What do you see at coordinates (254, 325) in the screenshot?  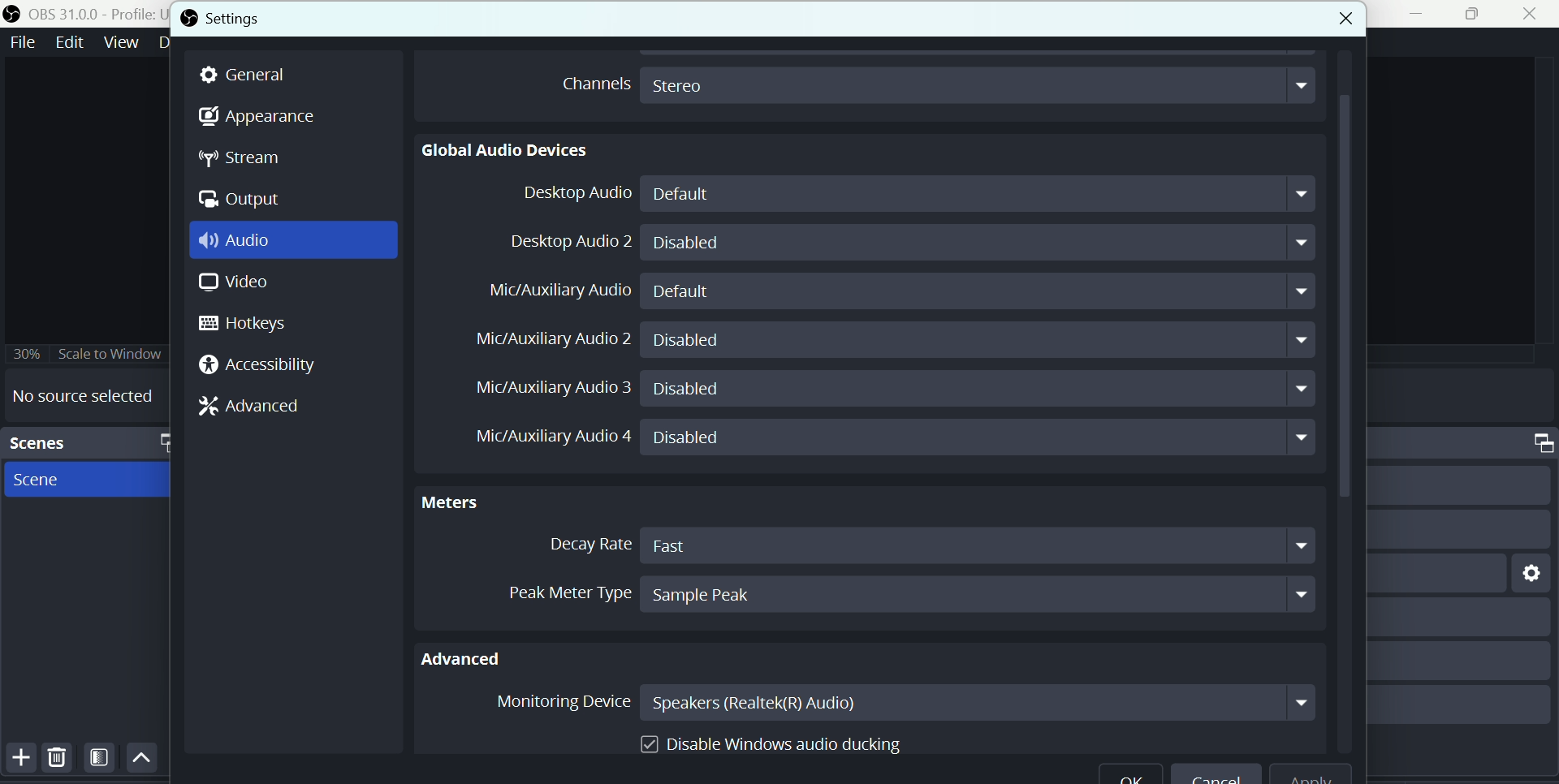 I see `Hotkeys` at bounding box center [254, 325].